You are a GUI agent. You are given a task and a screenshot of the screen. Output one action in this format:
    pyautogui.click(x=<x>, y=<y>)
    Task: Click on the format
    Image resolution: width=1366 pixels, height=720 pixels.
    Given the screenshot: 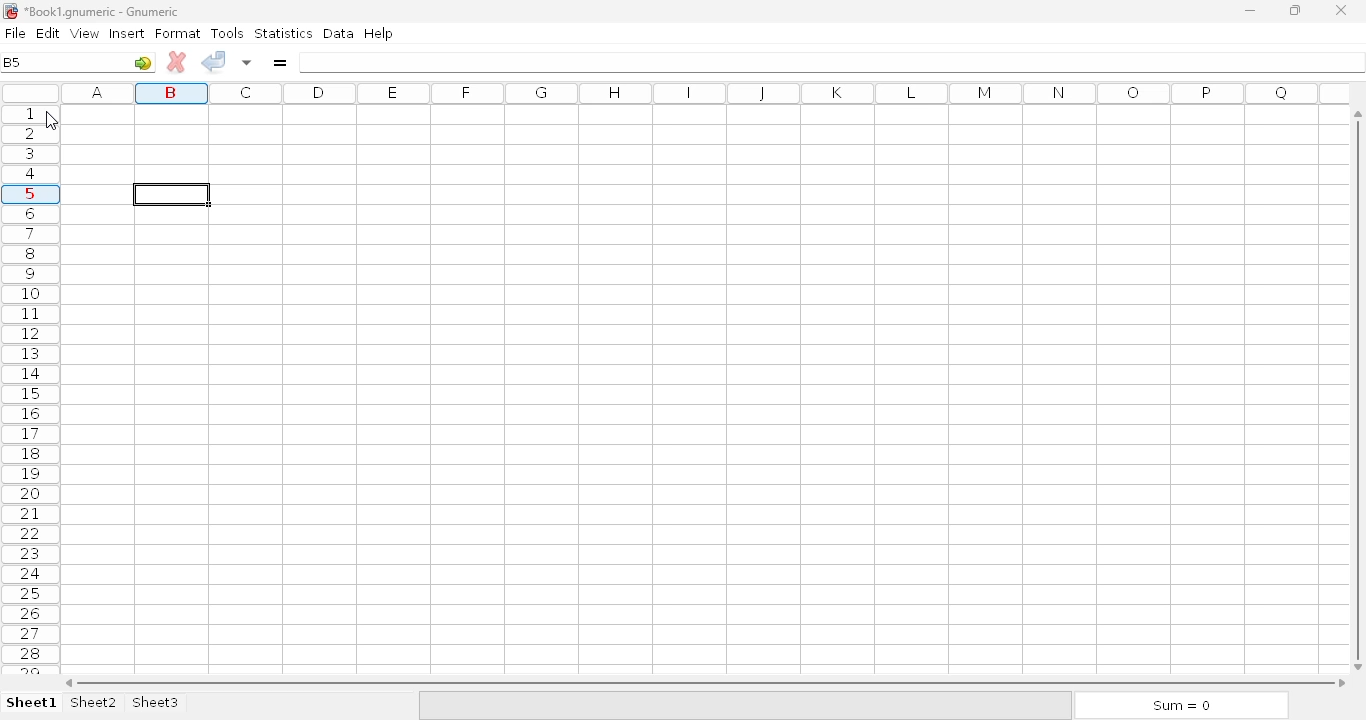 What is the action you would take?
    pyautogui.click(x=178, y=33)
    